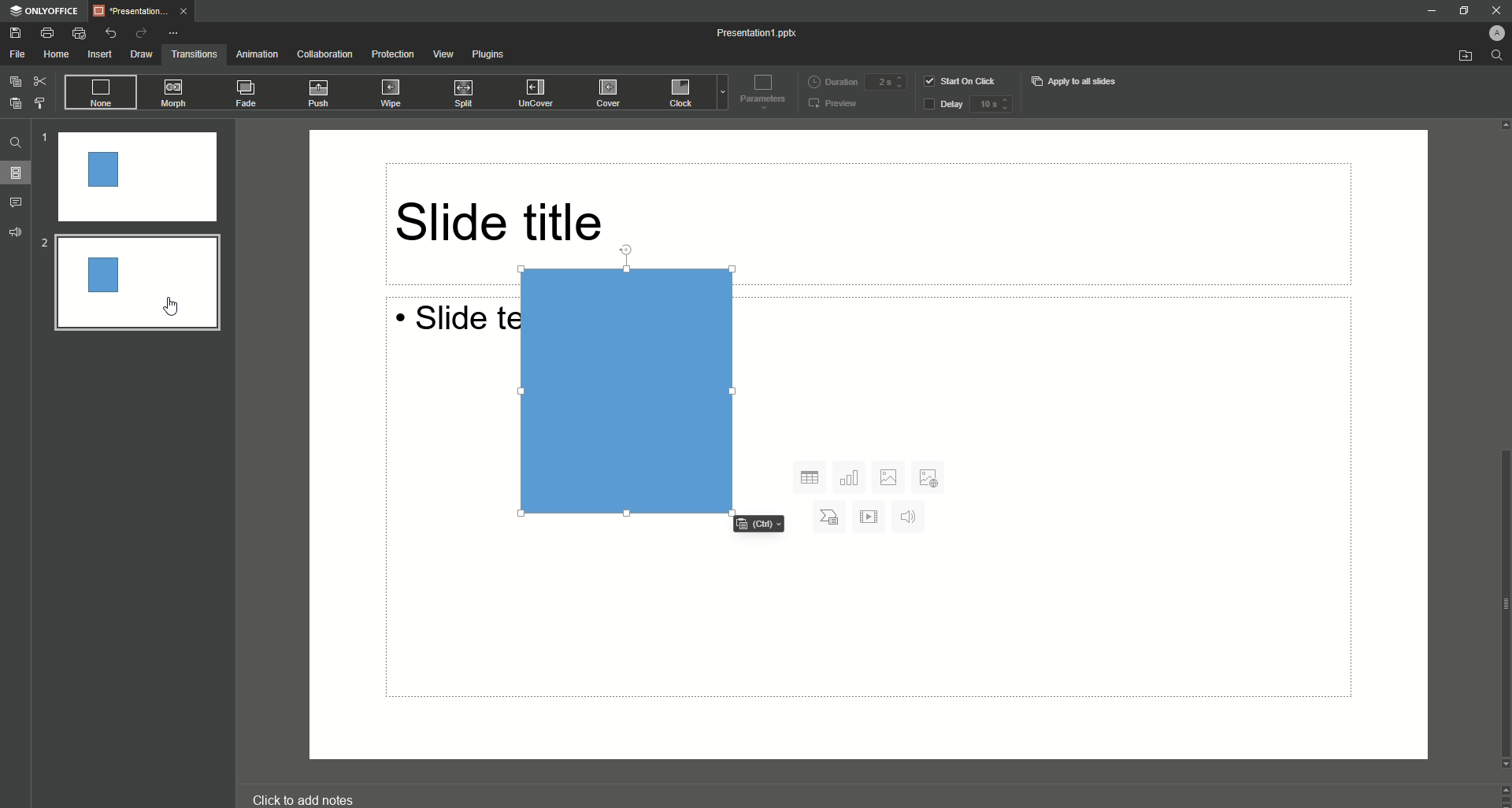 The image size is (1512, 808). Describe the element at coordinates (54, 54) in the screenshot. I see `Home` at that location.